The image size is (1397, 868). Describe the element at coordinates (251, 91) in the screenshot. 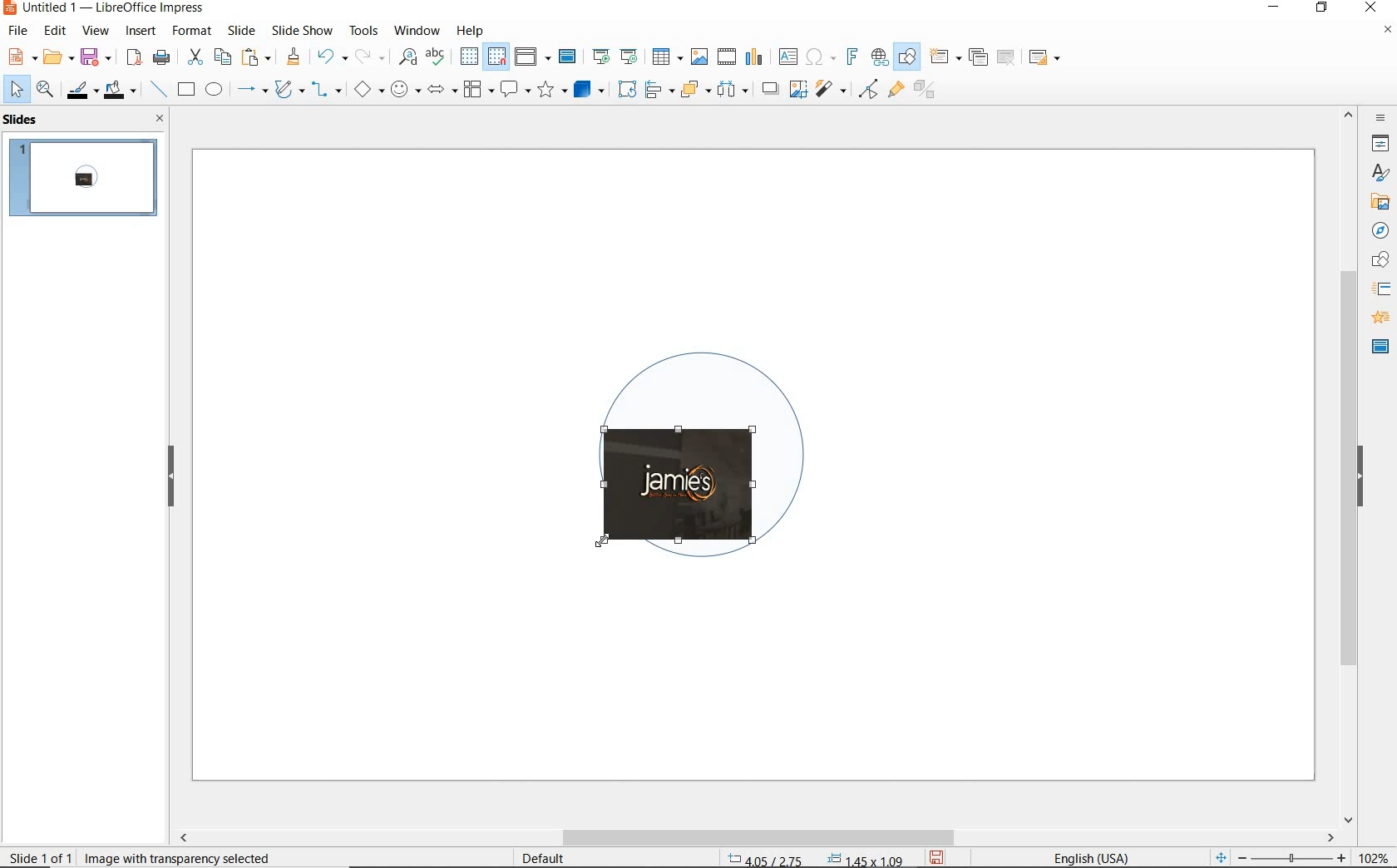

I see `lines & arrows` at that location.